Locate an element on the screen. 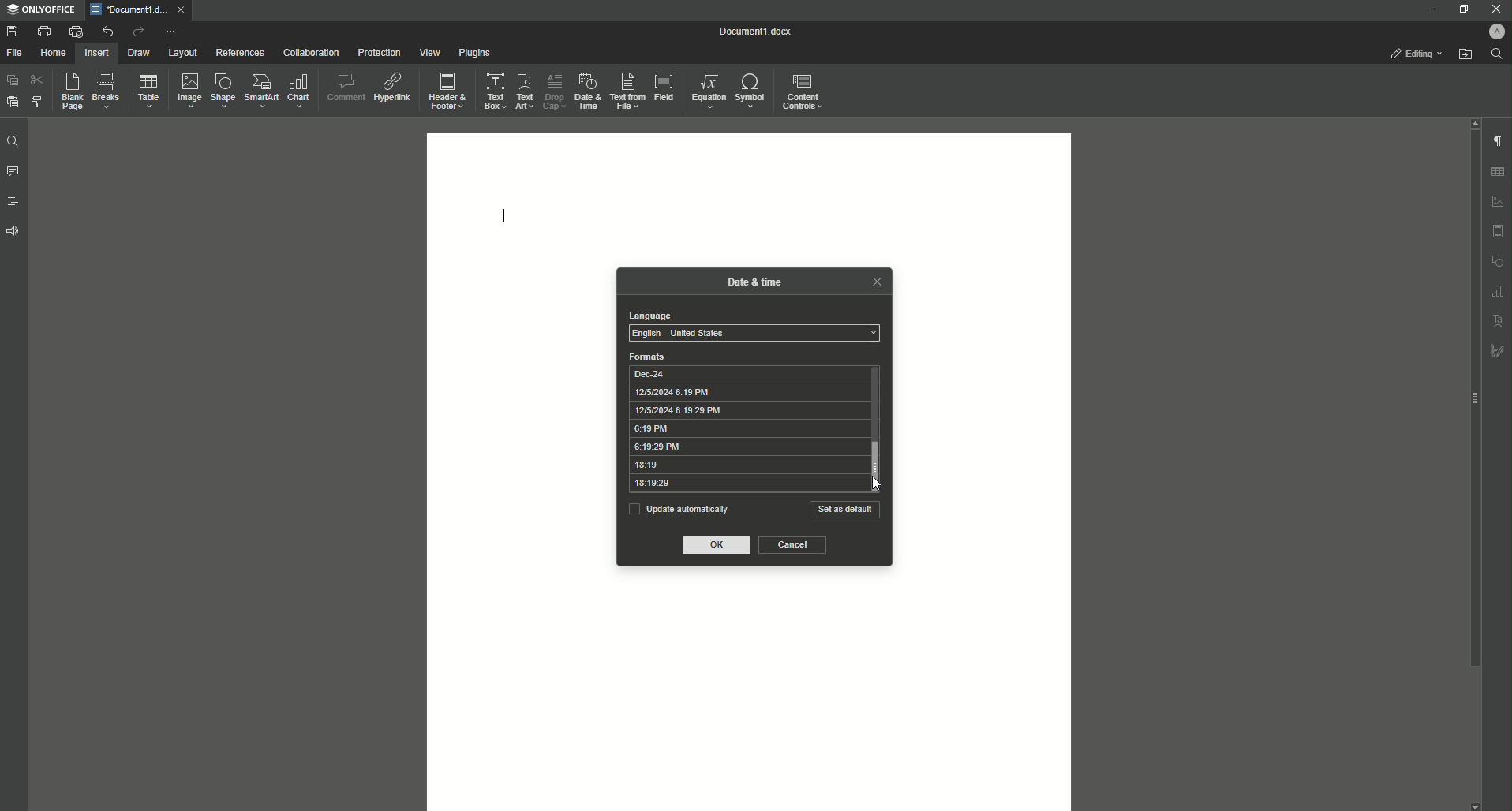 The height and width of the screenshot is (811, 1512). Drop Cap is located at coordinates (553, 90).